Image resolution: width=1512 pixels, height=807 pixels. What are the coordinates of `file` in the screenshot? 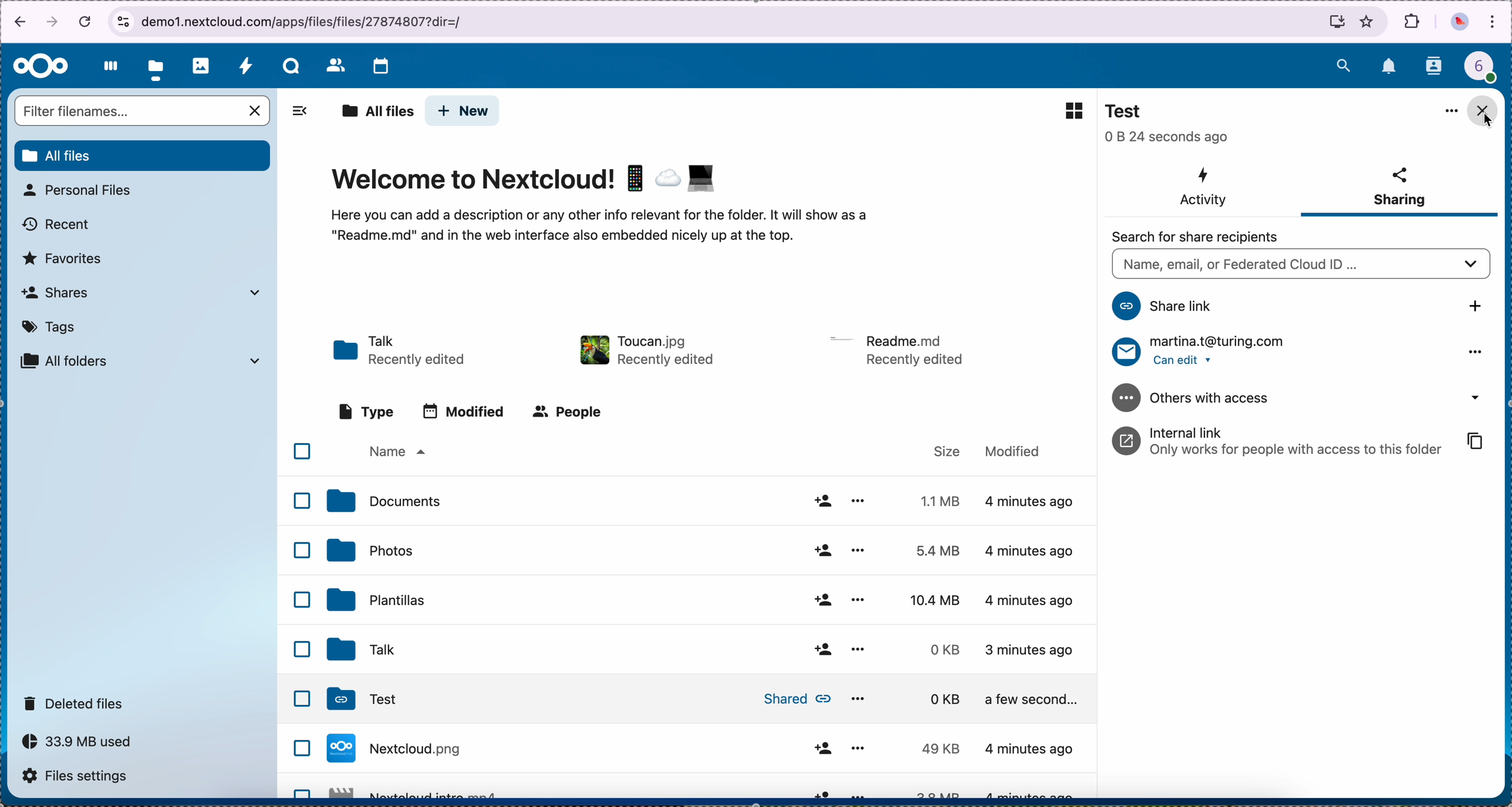 It's located at (705, 787).